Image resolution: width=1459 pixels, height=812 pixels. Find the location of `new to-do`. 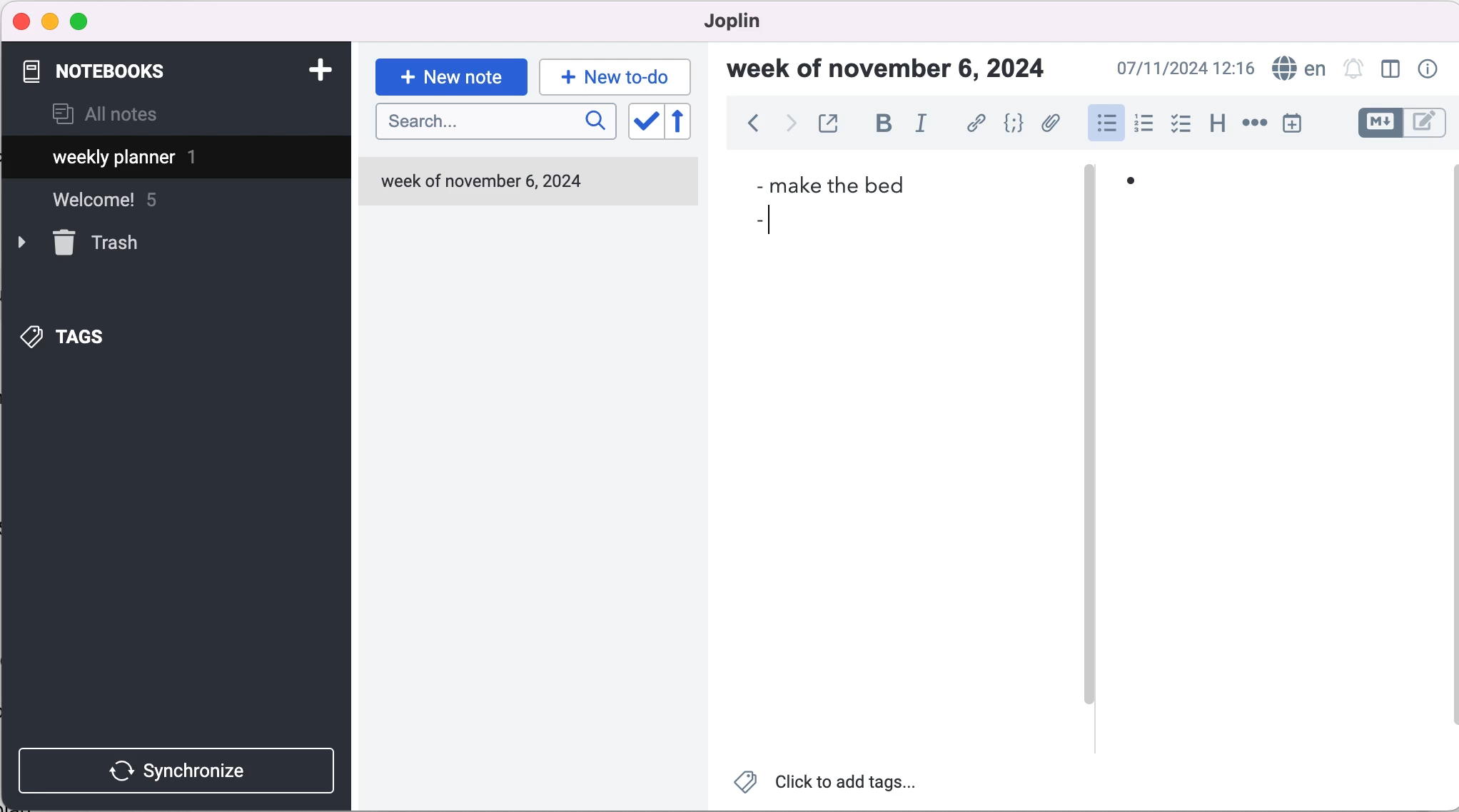

new to-do is located at coordinates (612, 76).